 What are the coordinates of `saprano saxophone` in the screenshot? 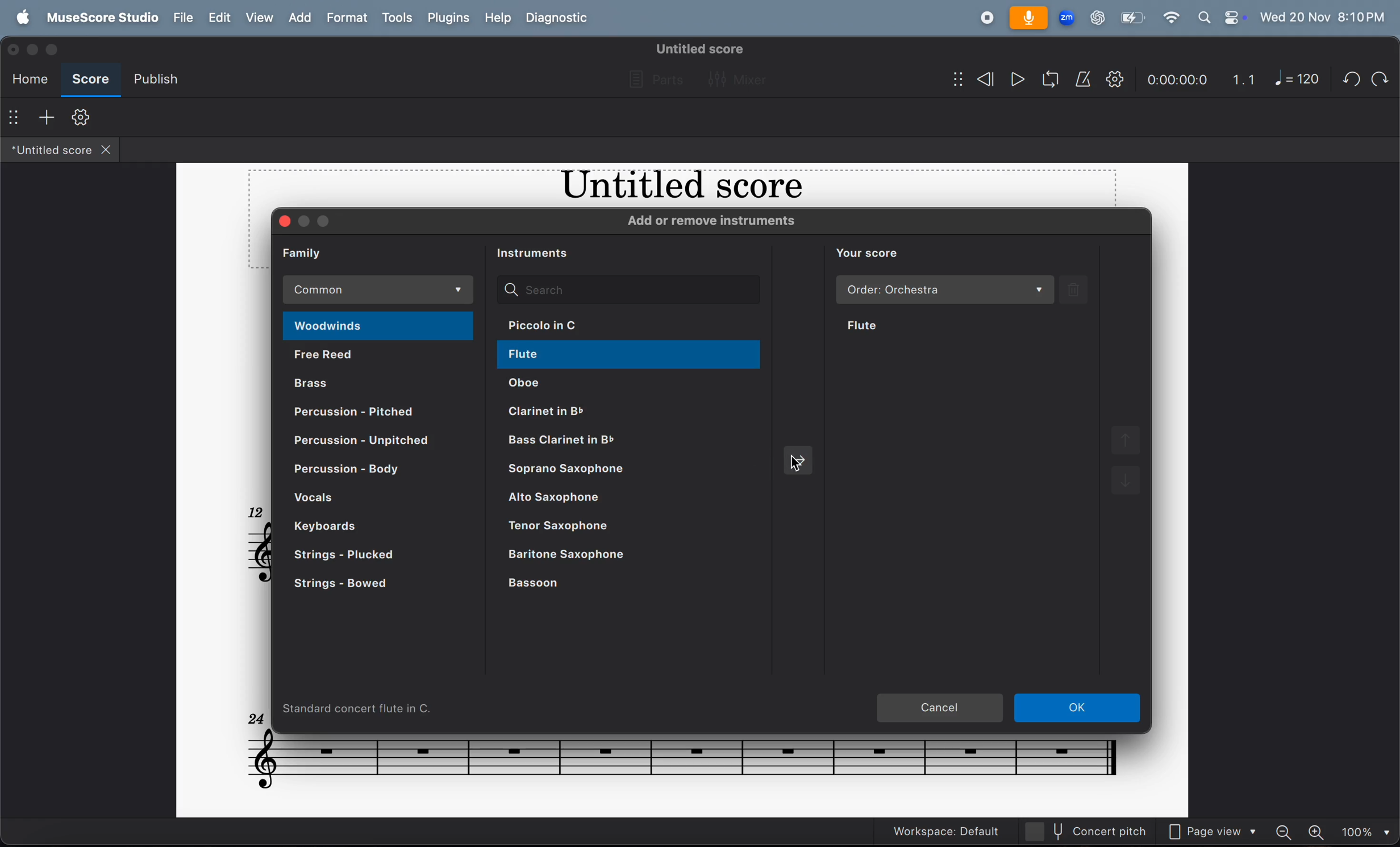 It's located at (636, 471).